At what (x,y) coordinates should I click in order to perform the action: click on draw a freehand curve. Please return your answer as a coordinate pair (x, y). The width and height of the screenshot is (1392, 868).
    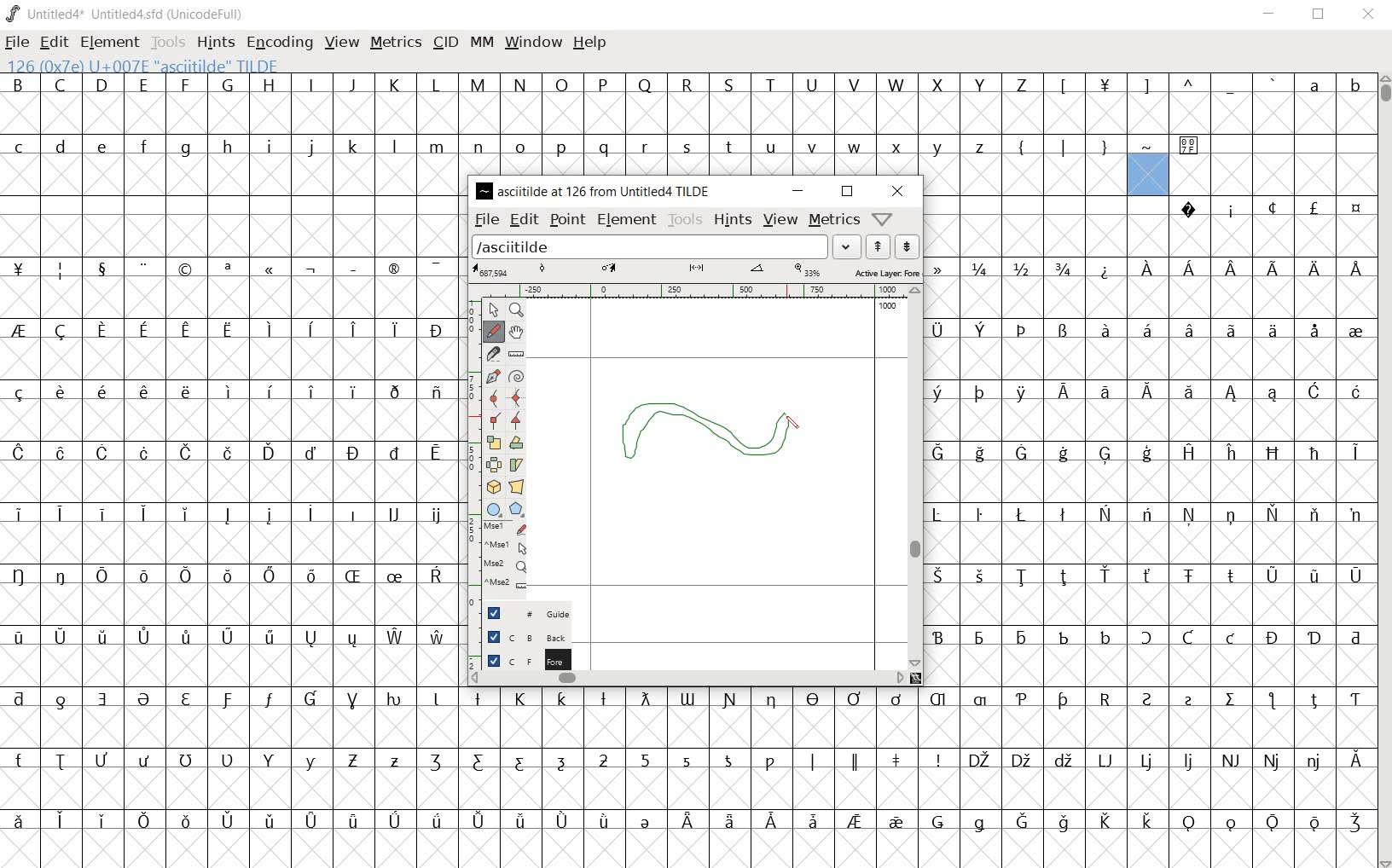
    Looking at the image, I should click on (495, 329).